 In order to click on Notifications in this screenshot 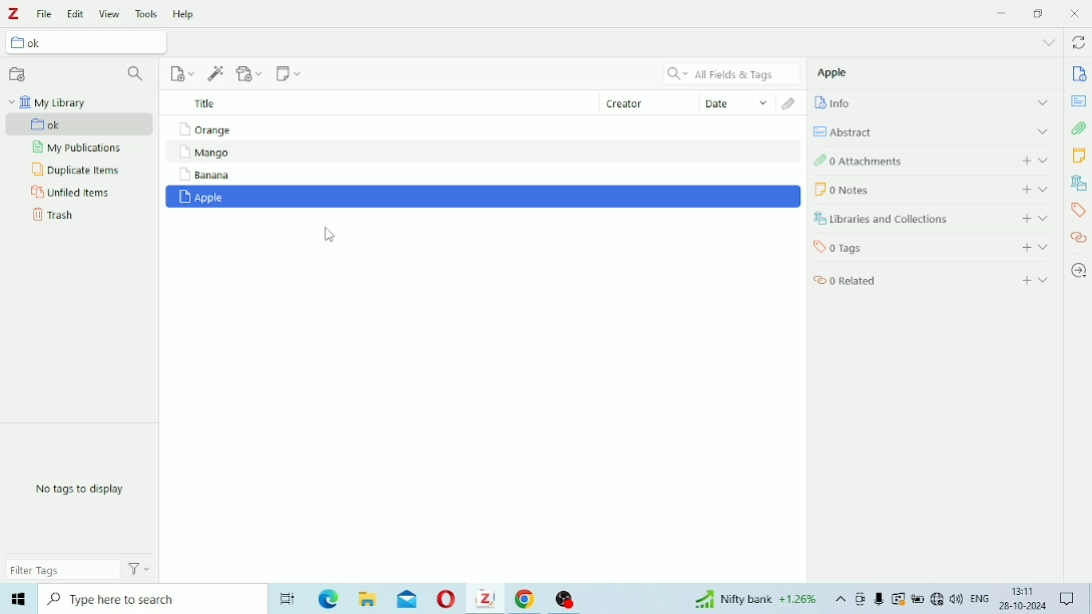, I will do `click(1069, 599)`.